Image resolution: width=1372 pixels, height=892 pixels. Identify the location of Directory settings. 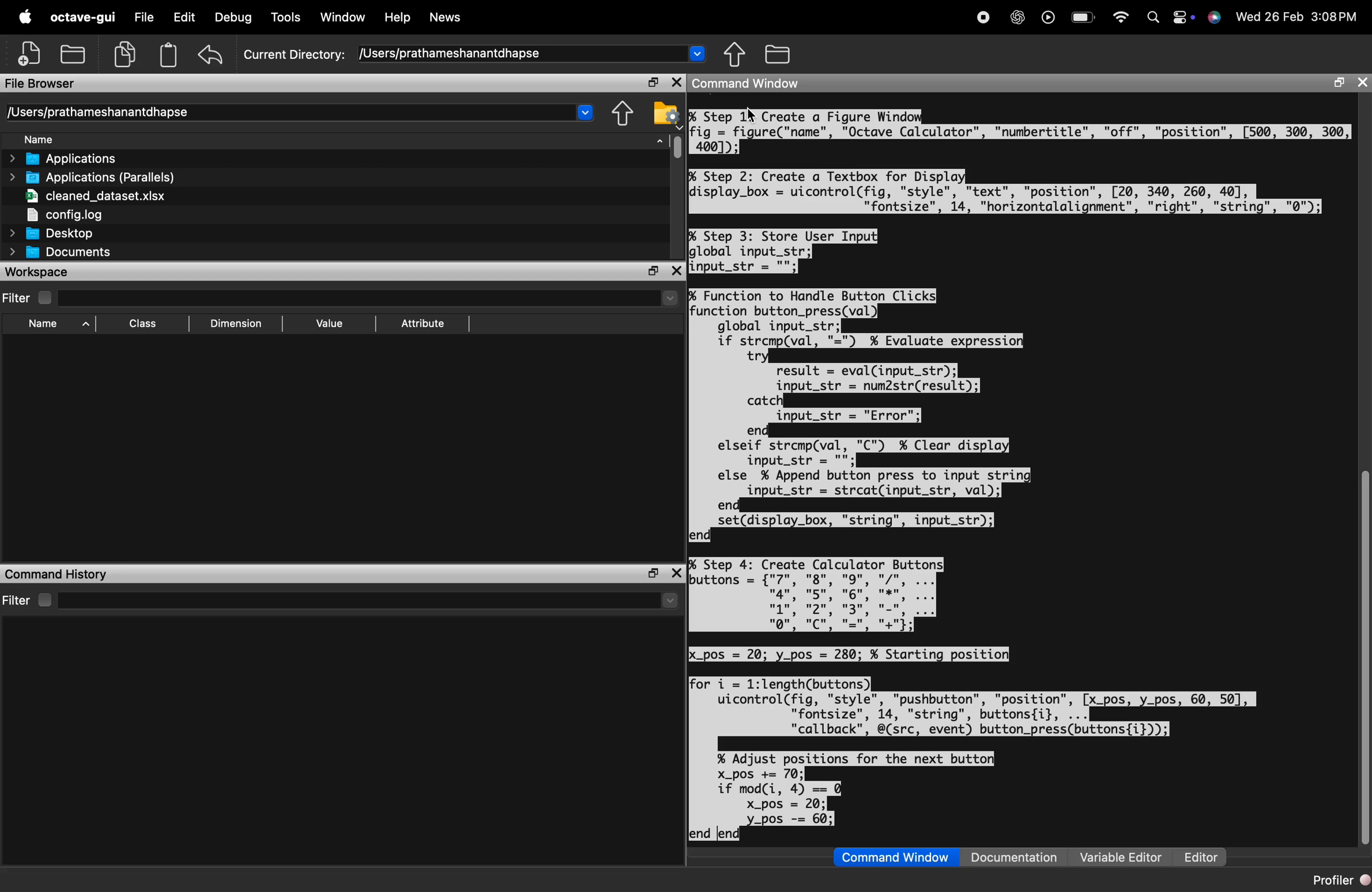
(620, 114).